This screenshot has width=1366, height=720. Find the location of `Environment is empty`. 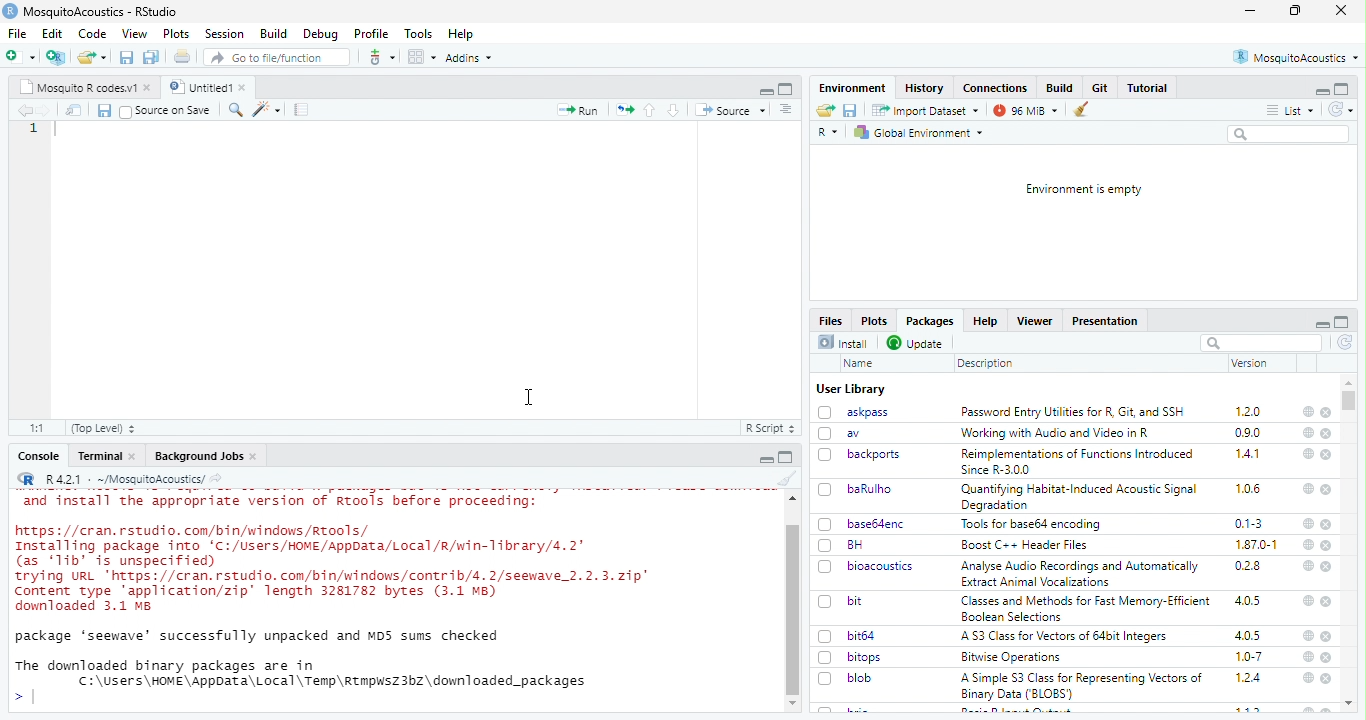

Environment is empty is located at coordinates (1085, 190).